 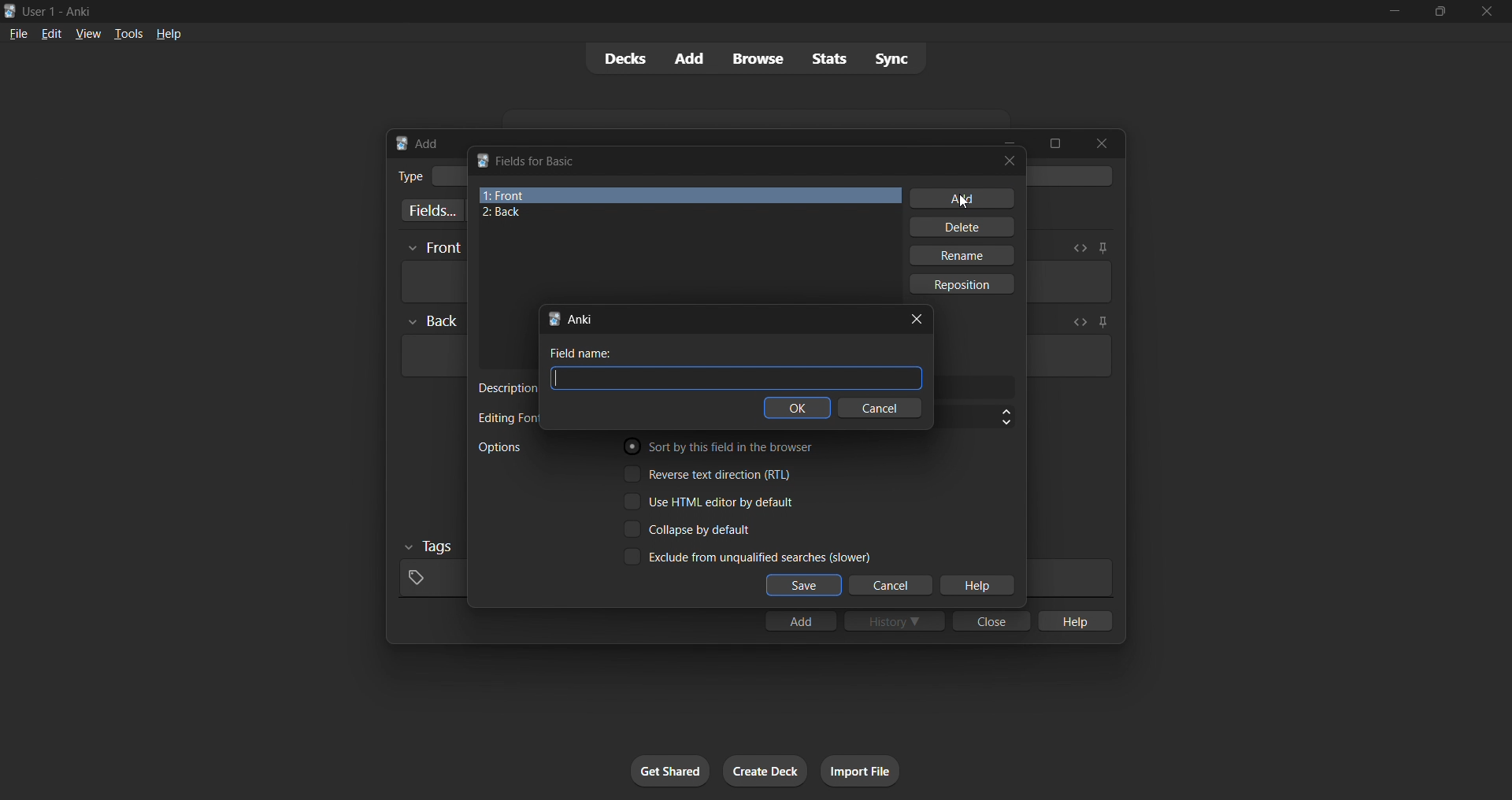 What do you see at coordinates (1080, 248) in the screenshot?
I see `Toggle HTML editor` at bounding box center [1080, 248].